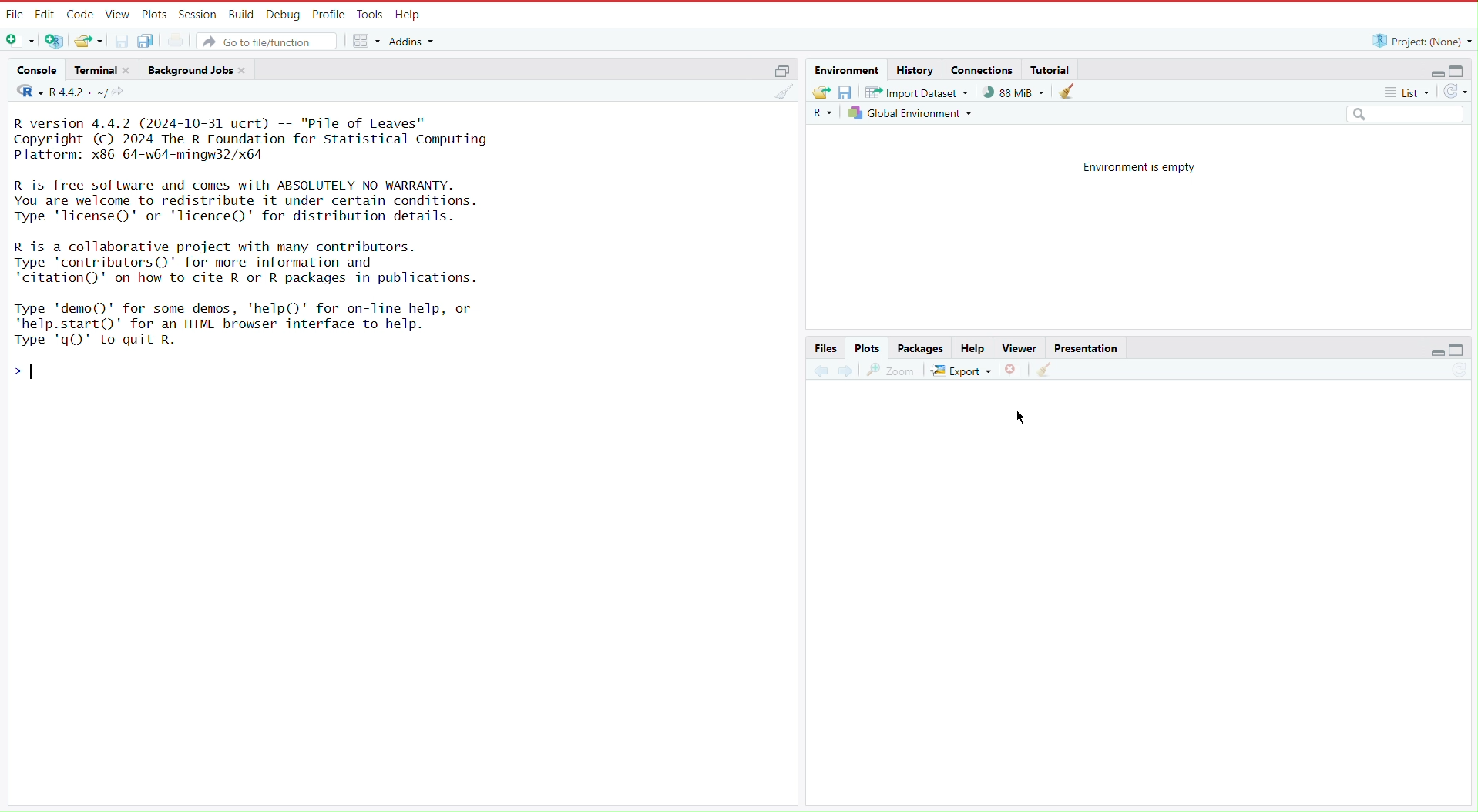 The height and width of the screenshot is (812, 1478). What do you see at coordinates (867, 347) in the screenshot?
I see `s Plots` at bounding box center [867, 347].